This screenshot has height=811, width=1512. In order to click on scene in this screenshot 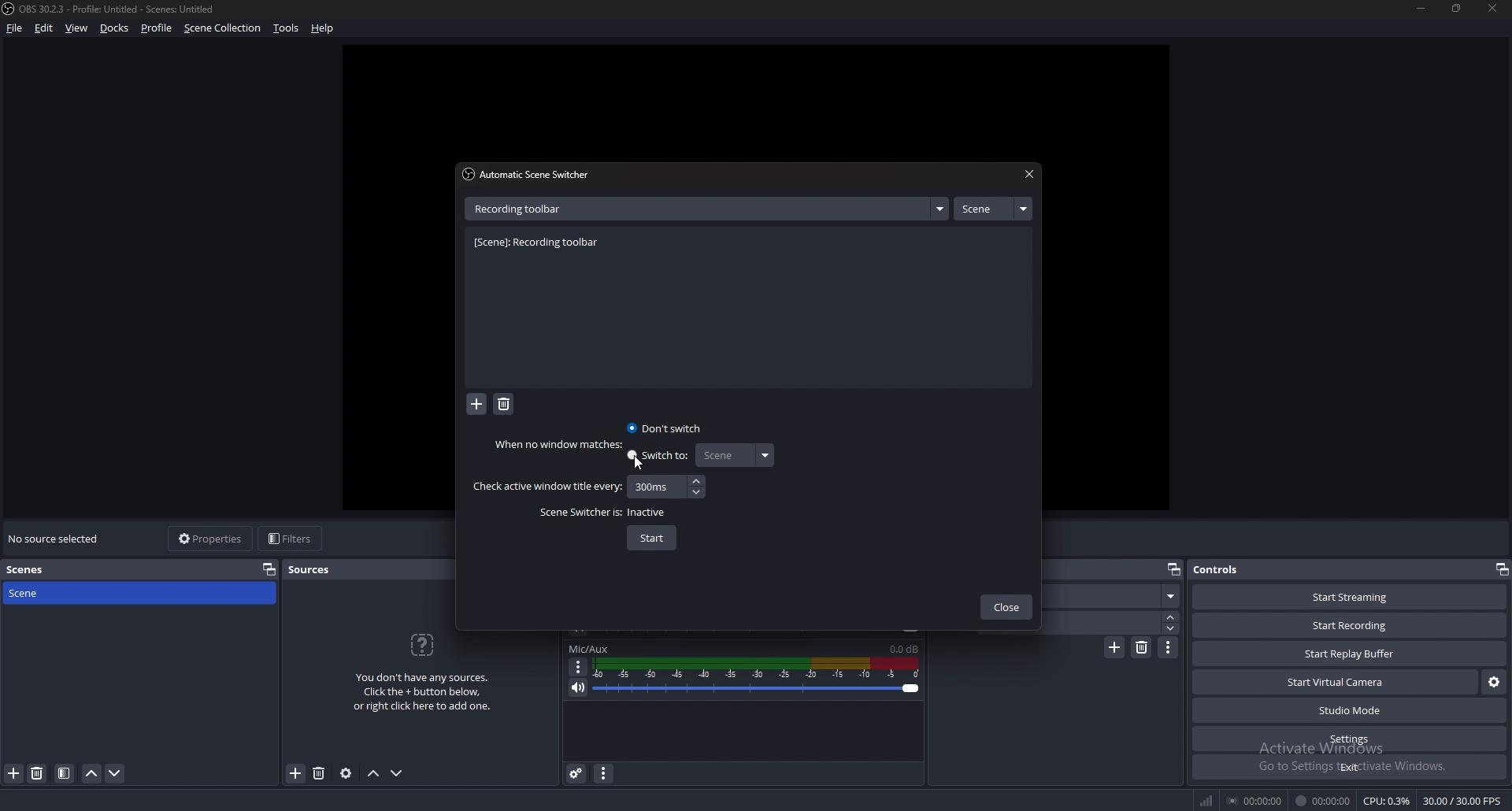, I will do `click(42, 592)`.